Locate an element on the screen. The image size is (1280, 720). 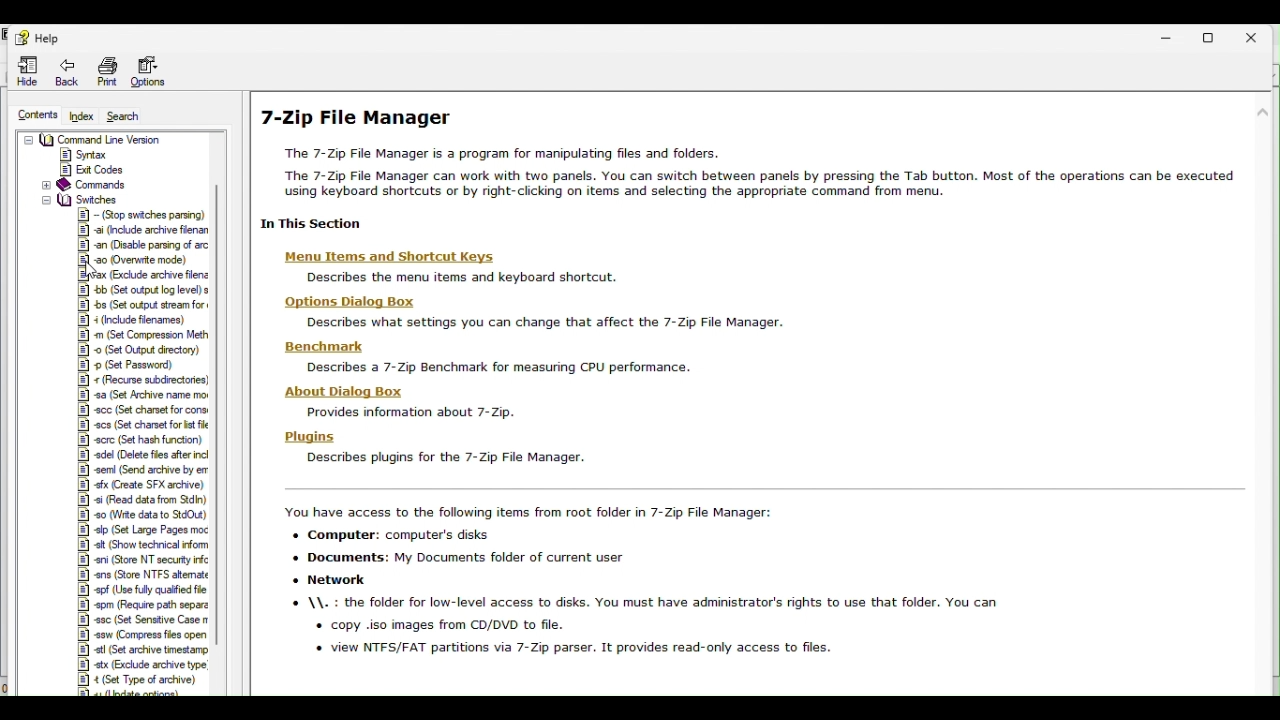
Close is located at coordinates (1254, 37).